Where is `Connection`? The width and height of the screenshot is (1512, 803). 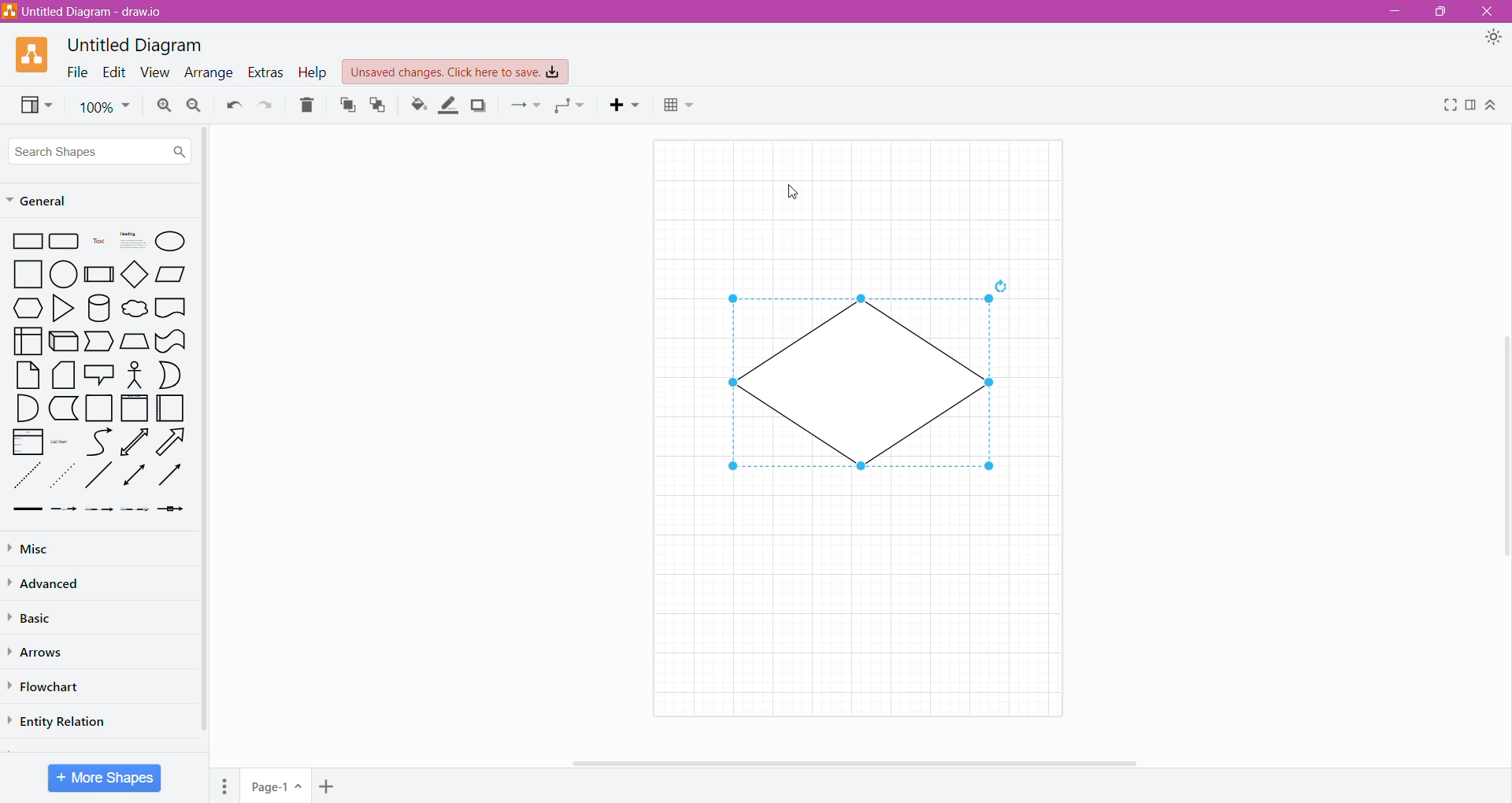
Connection is located at coordinates (525, 105).